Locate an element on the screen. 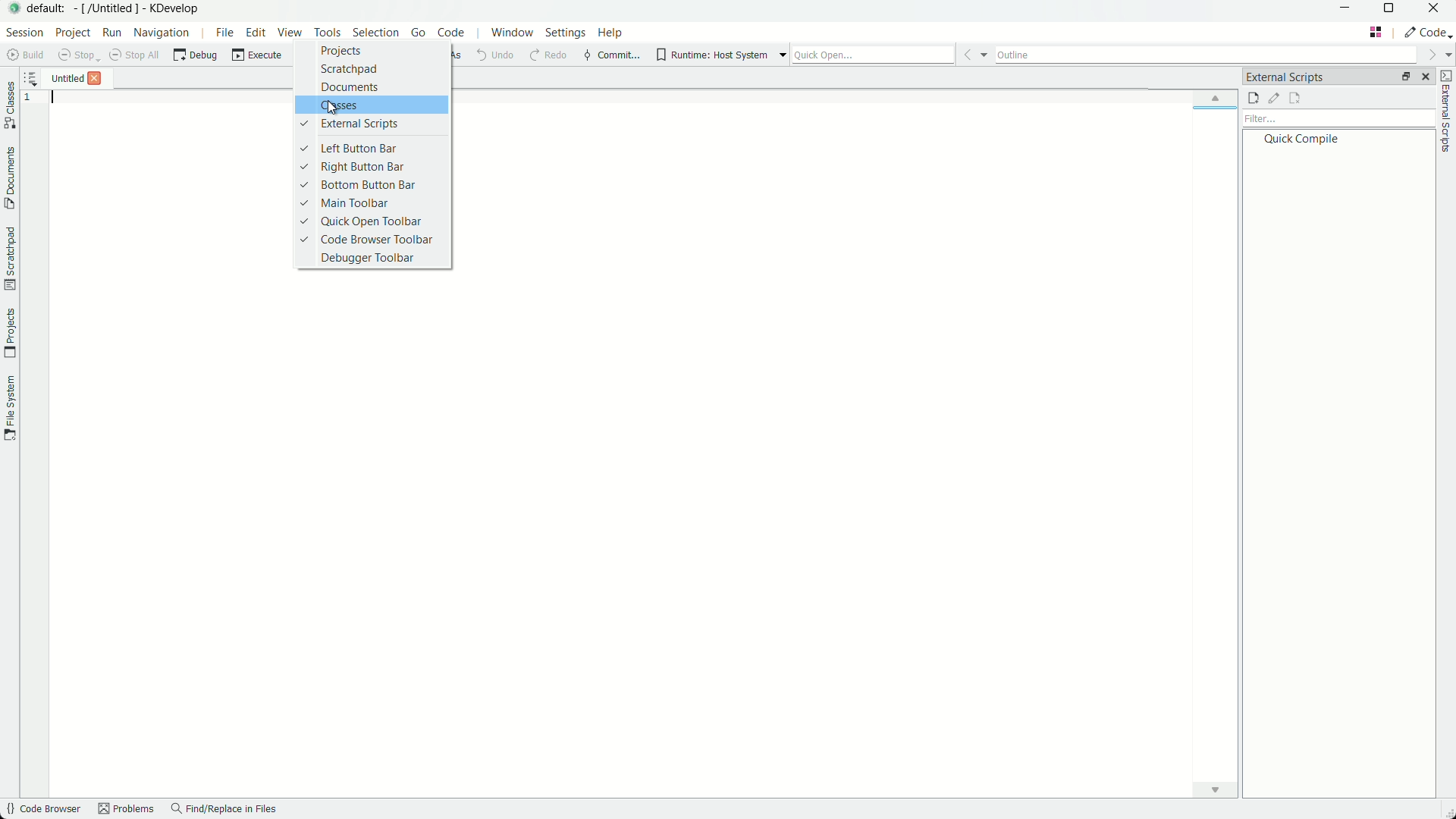  default is located at coordinates (51, 9).